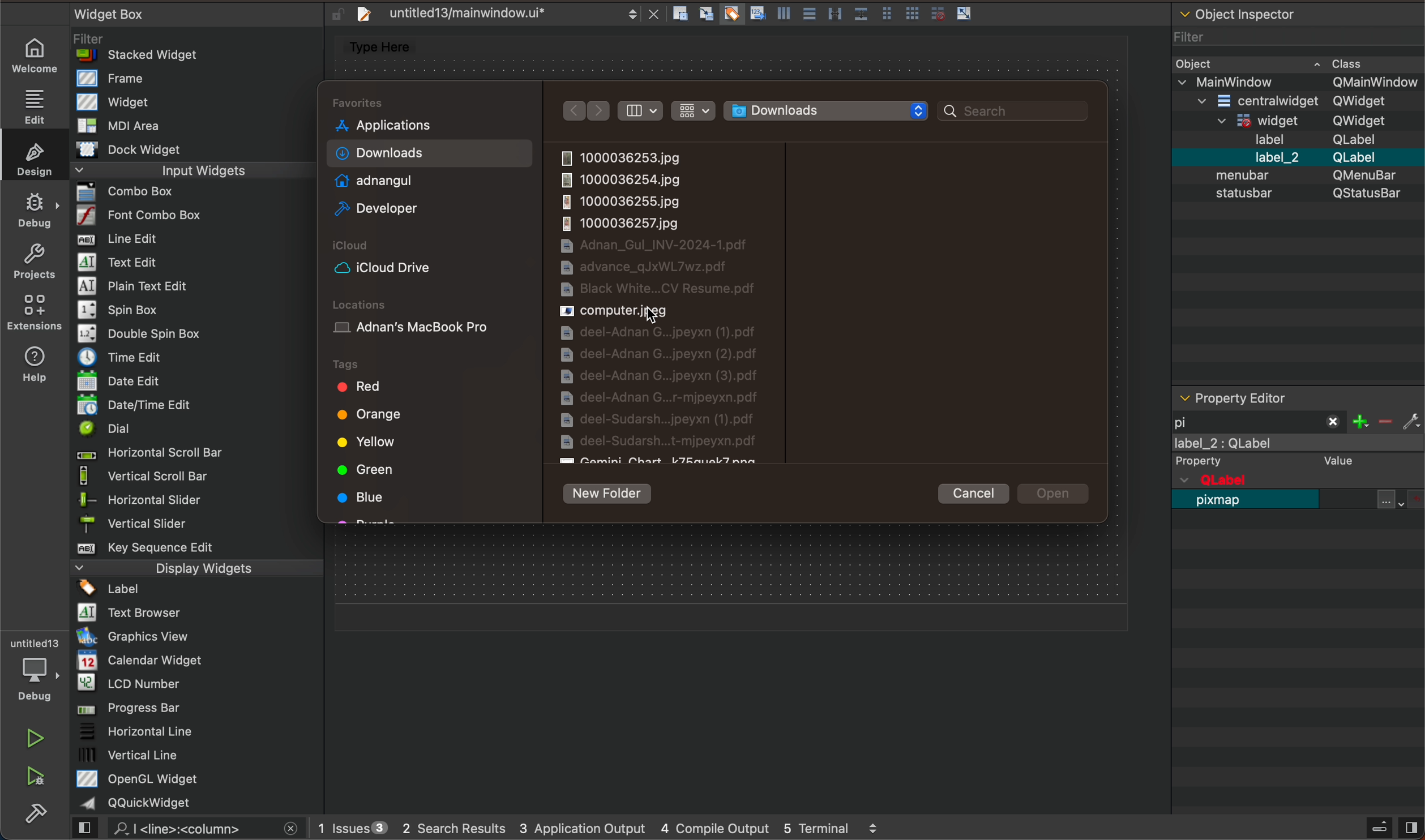 This screenshot has height=840, width=1425. I want to click on run, so click(34, 736).